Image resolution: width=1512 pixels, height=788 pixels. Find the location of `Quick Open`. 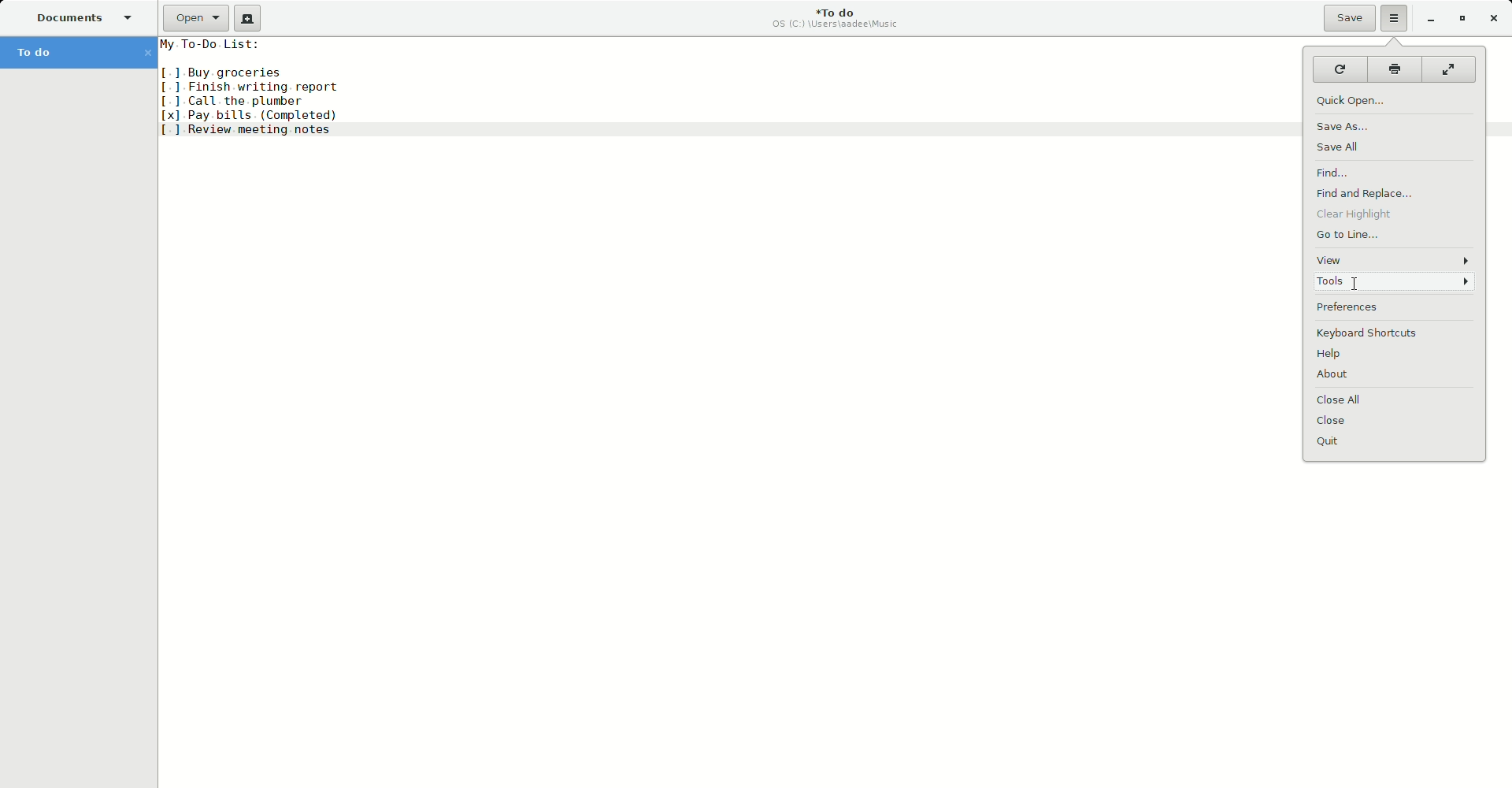

Quick Open is located at coordinates (1362, 102).